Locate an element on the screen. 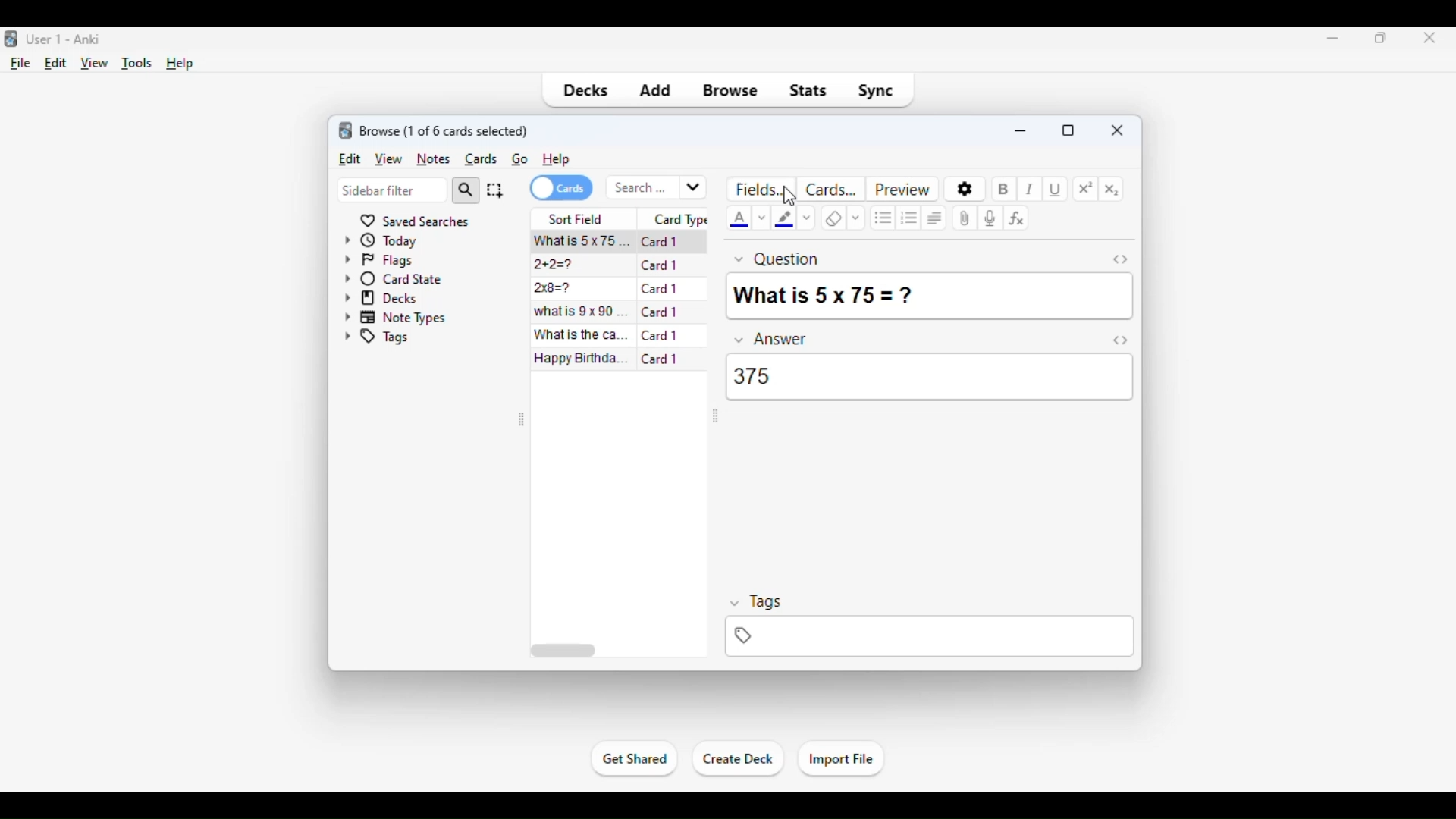 The image size is (1456, 819). 375 is located at coordinates (756, 375).